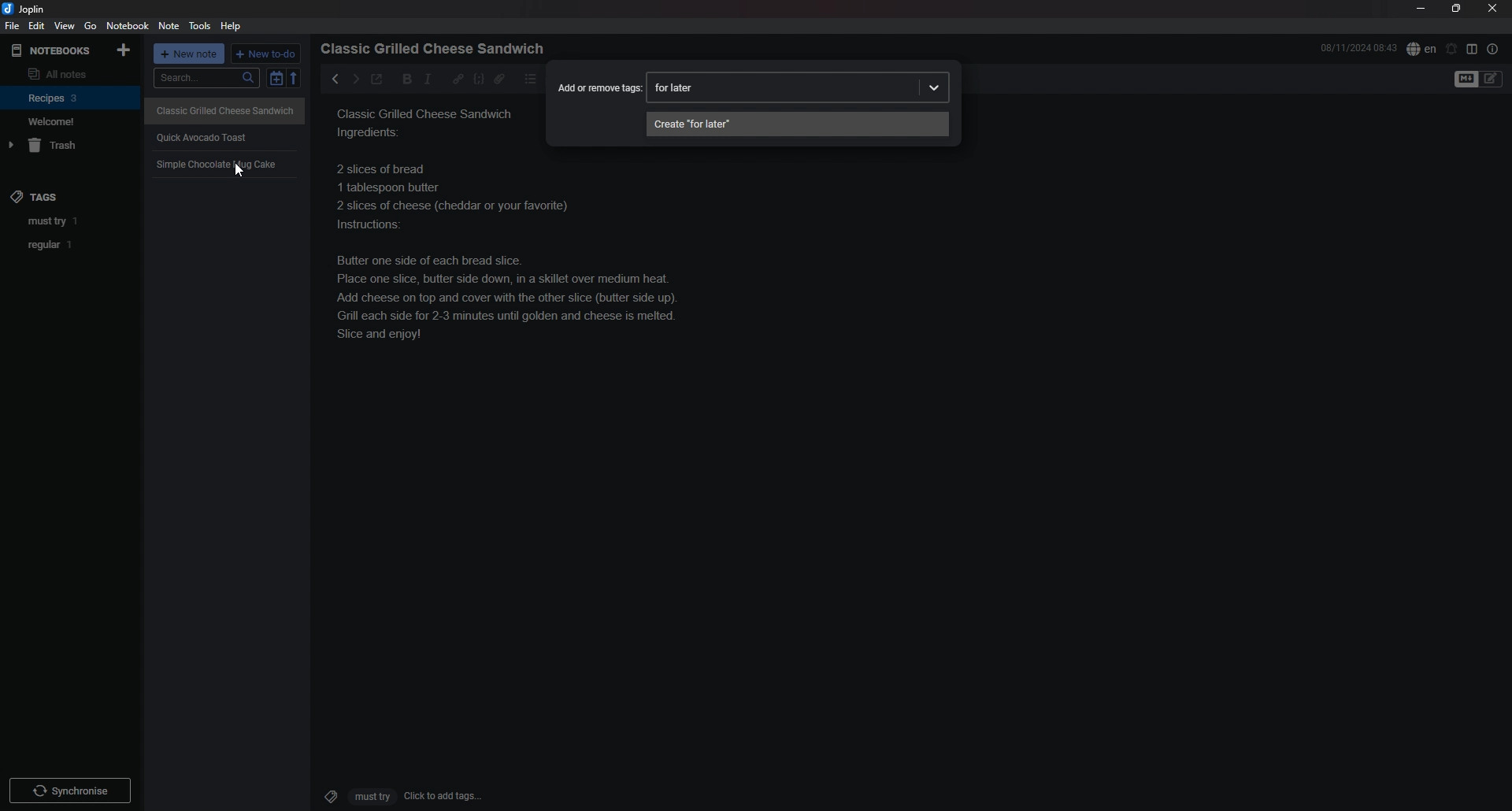 Image resolution: width=1512 pixels, height=811 pixels. I want to click on recipe, so click(519, 257).